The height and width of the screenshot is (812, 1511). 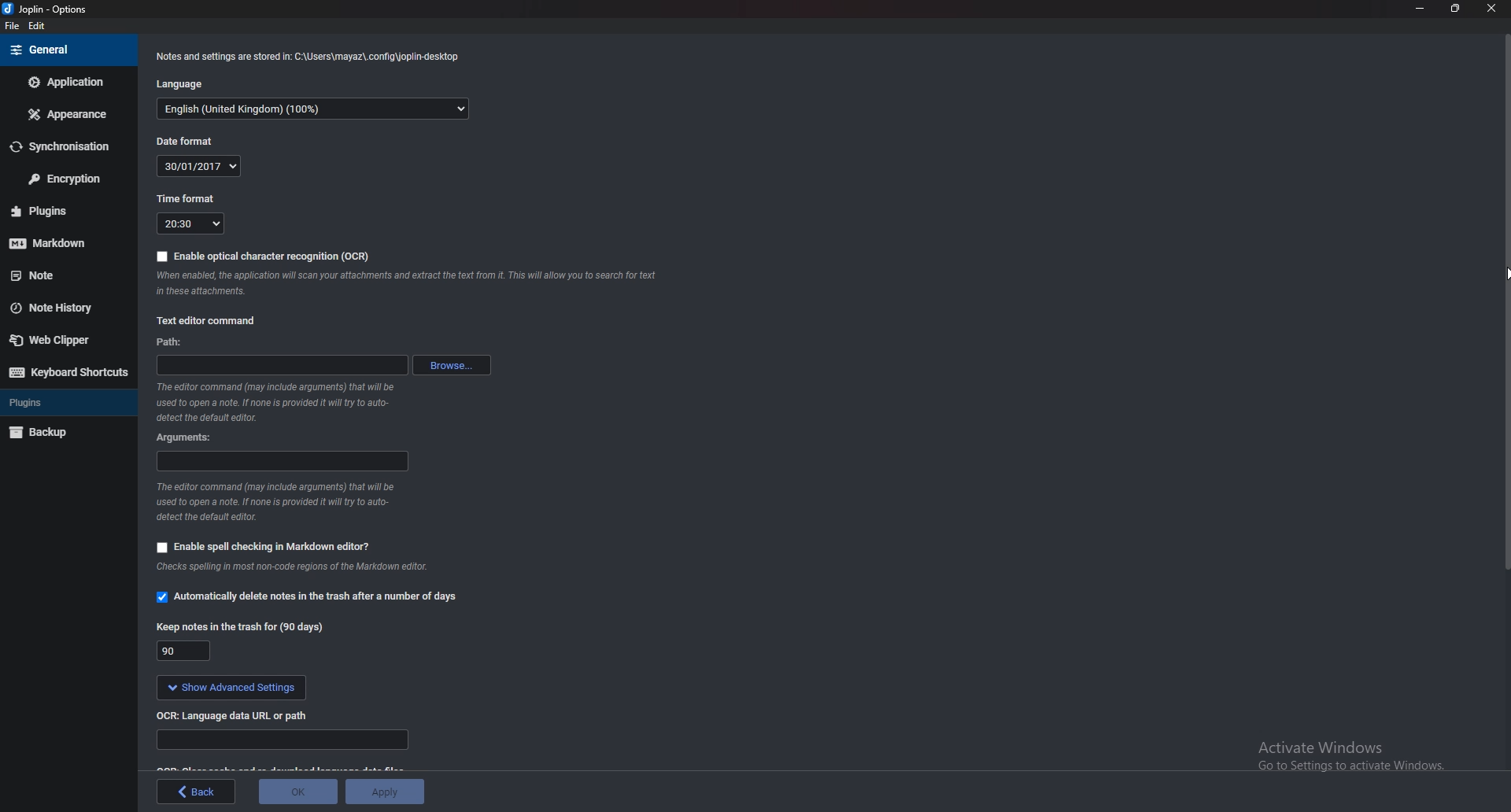 I want to click on close, so click(x=1486, y=10).